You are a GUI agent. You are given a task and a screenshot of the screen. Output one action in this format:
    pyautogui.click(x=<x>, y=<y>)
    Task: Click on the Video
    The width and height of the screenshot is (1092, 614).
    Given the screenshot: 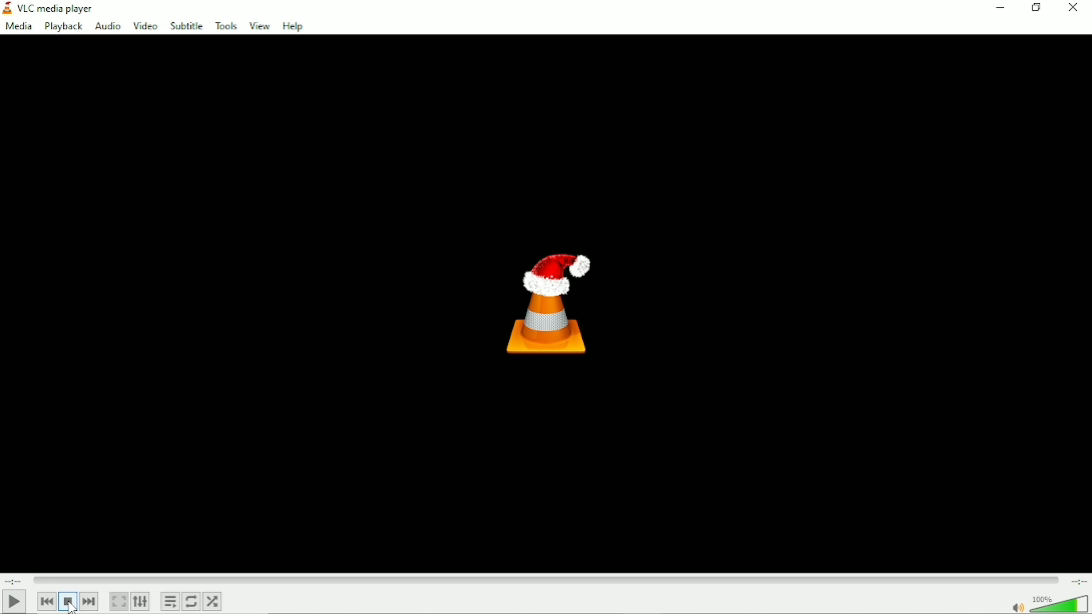 What is the action you would take?
    pyautogui.click(x=145, y=27)
    